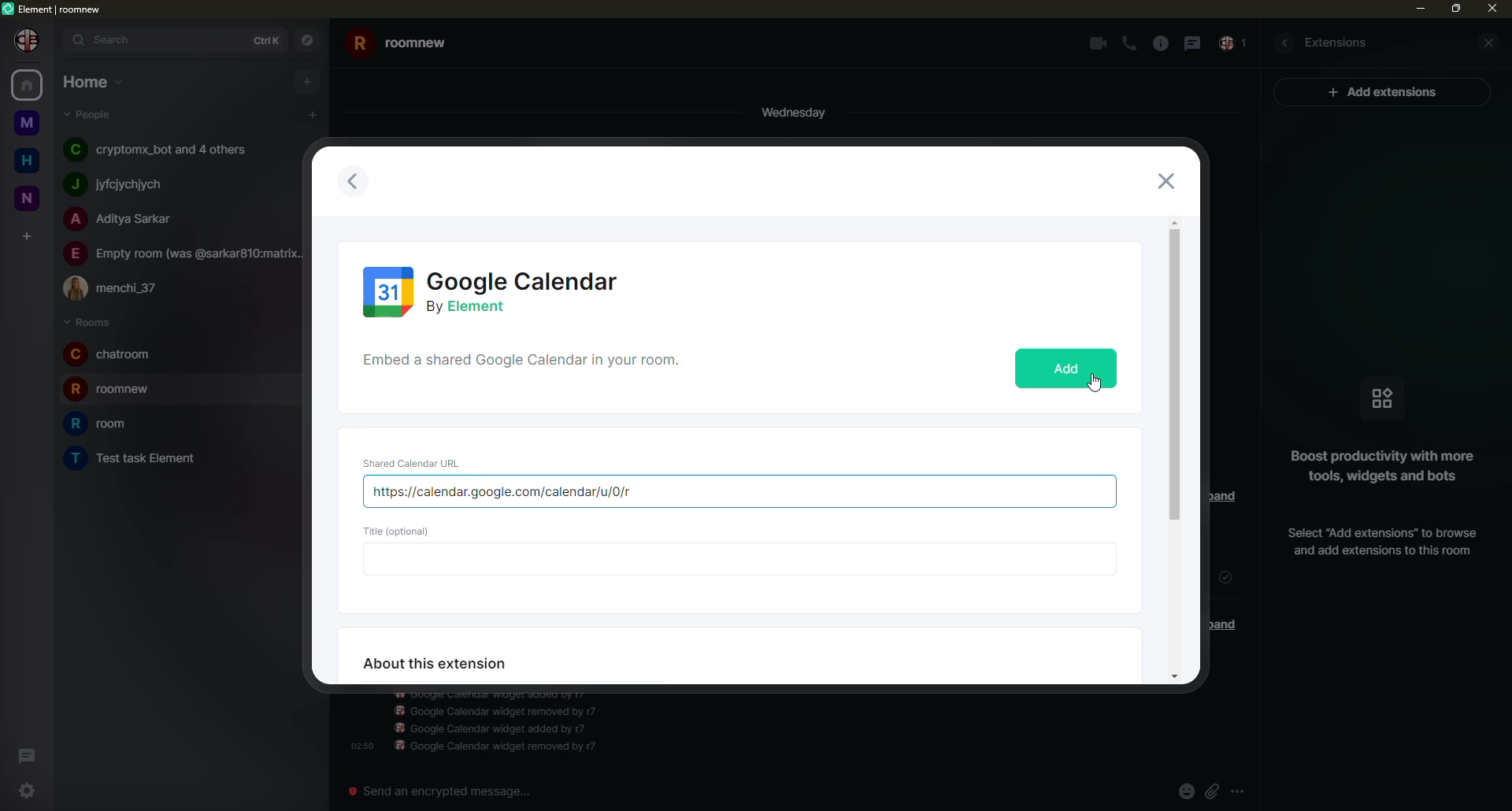  What do you see at coordinates (106, 42) in the screenshot?
I see `search` at bounding box center [106, 42].